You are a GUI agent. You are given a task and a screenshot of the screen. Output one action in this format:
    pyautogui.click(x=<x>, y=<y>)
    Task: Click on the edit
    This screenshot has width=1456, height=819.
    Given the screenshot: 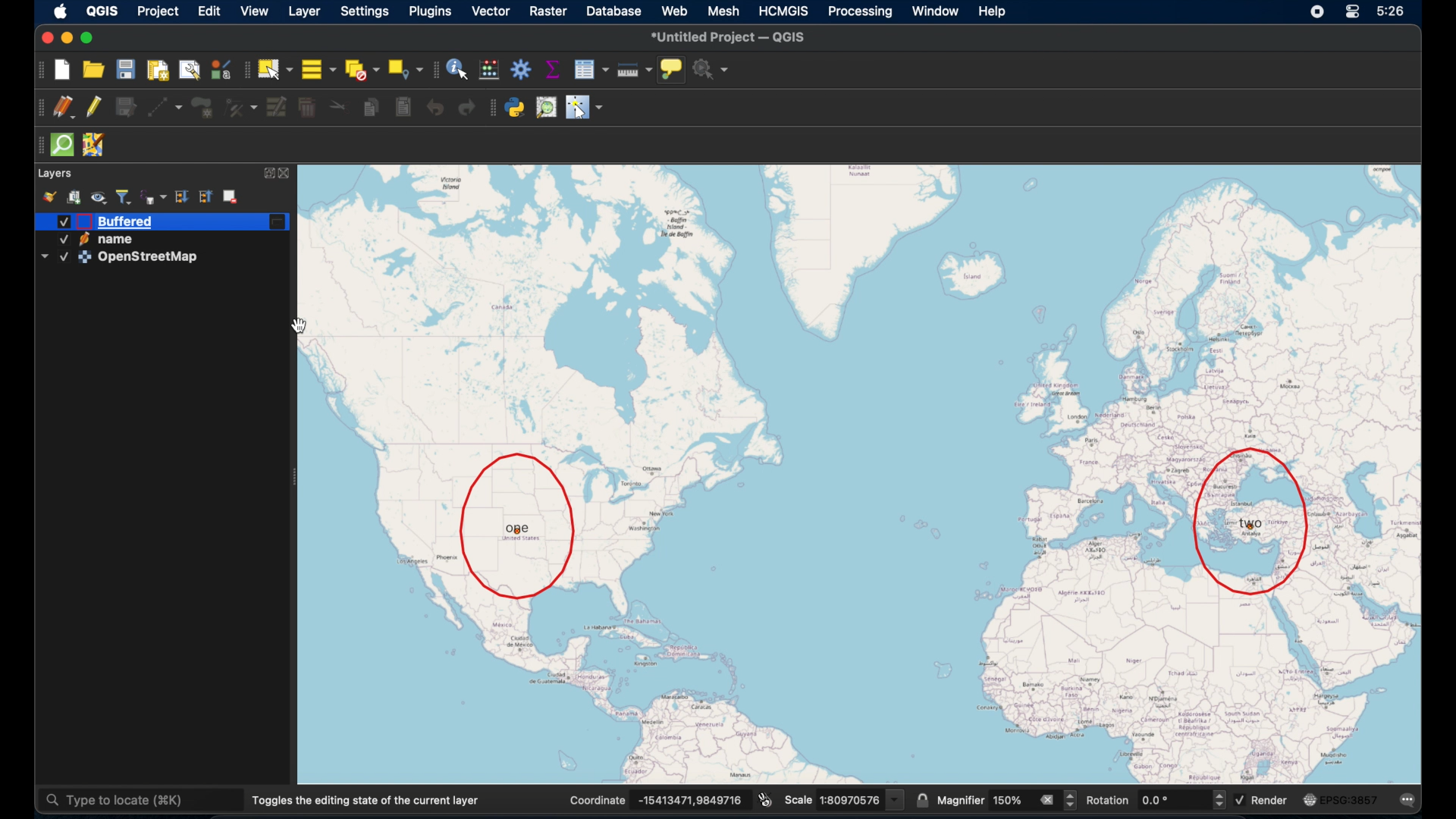 What is the action you would take?
    pyautogui.click(x=209, y=11)
    